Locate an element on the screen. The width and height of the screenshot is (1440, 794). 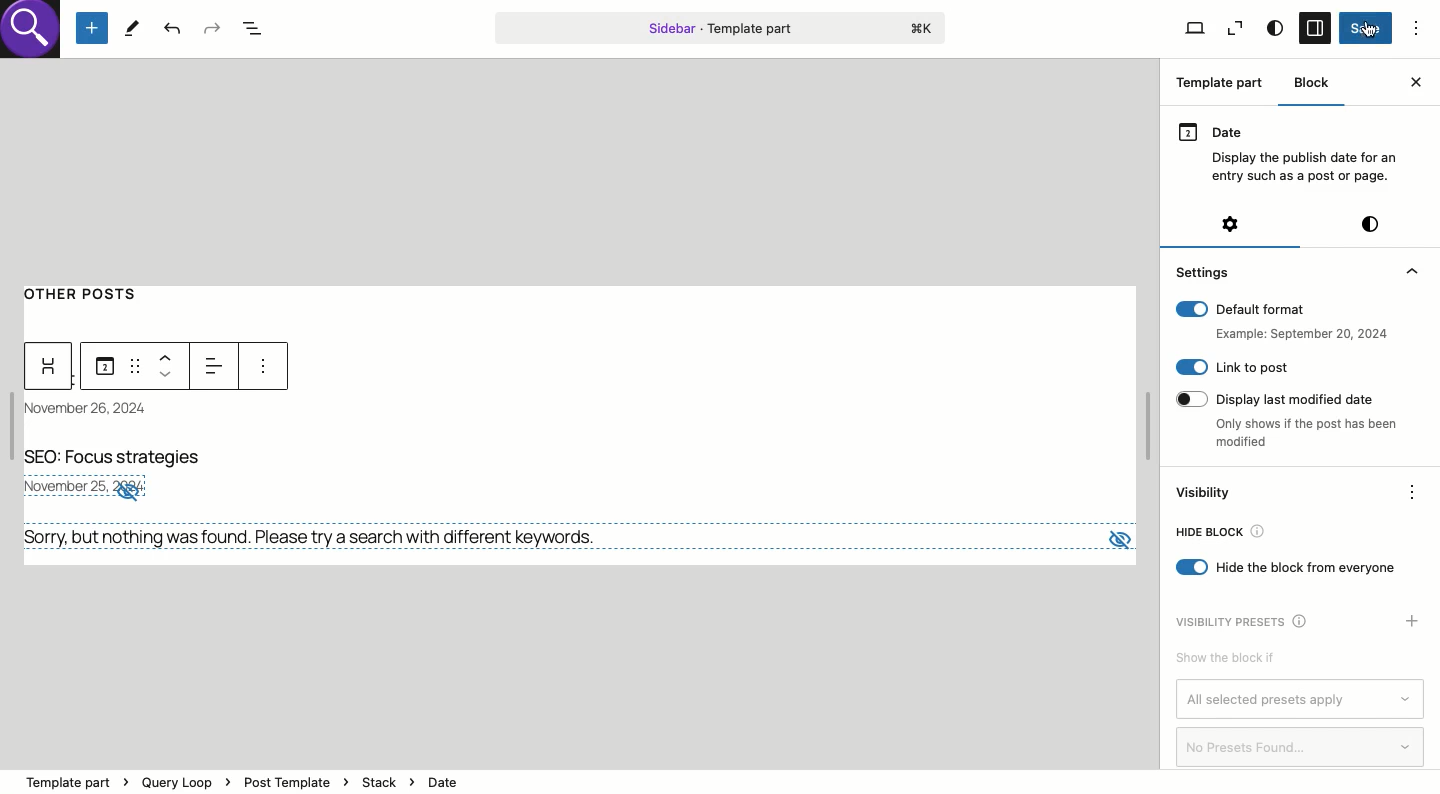
Style is located at coordinates (1370, 224).